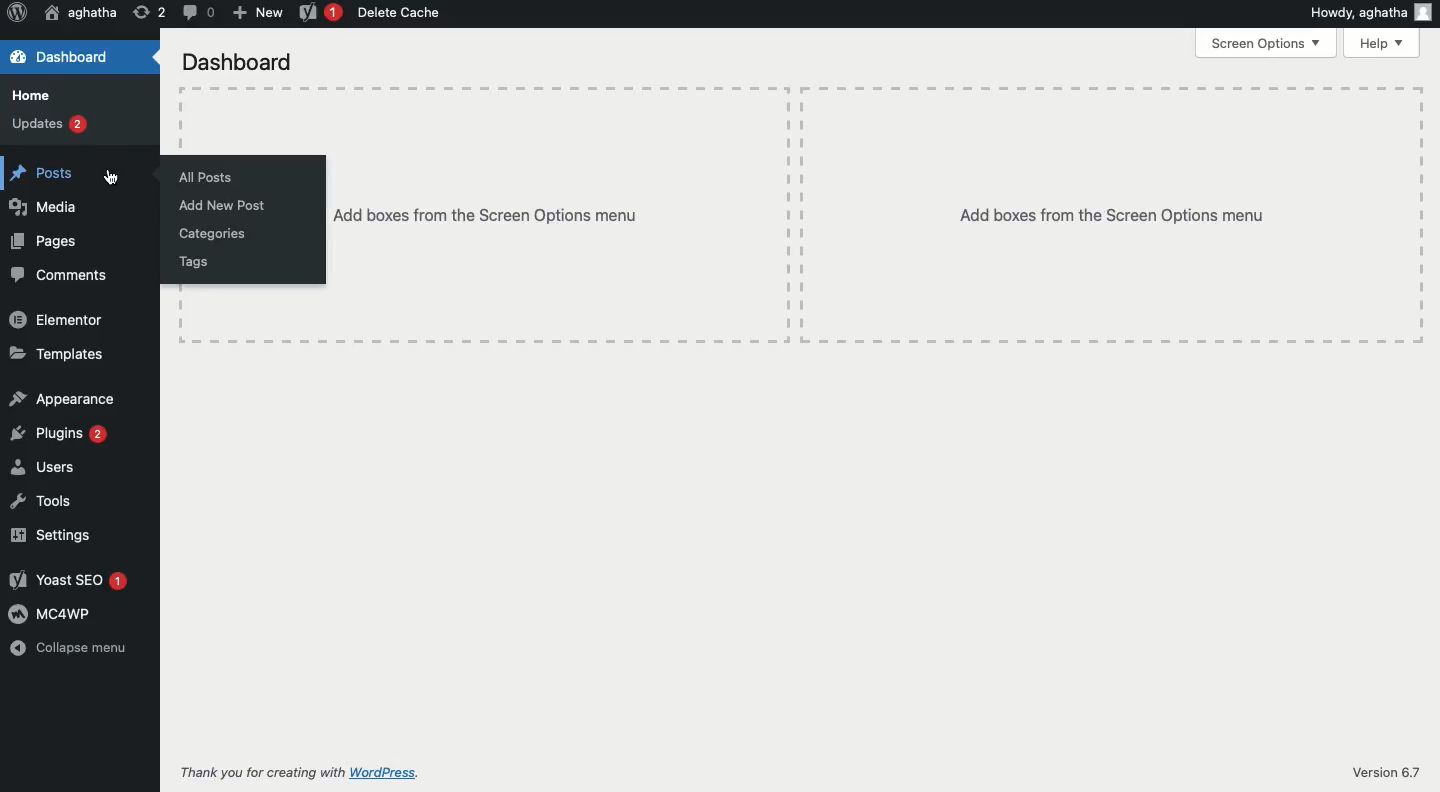  I want to click on Tags, so click(193, 261).